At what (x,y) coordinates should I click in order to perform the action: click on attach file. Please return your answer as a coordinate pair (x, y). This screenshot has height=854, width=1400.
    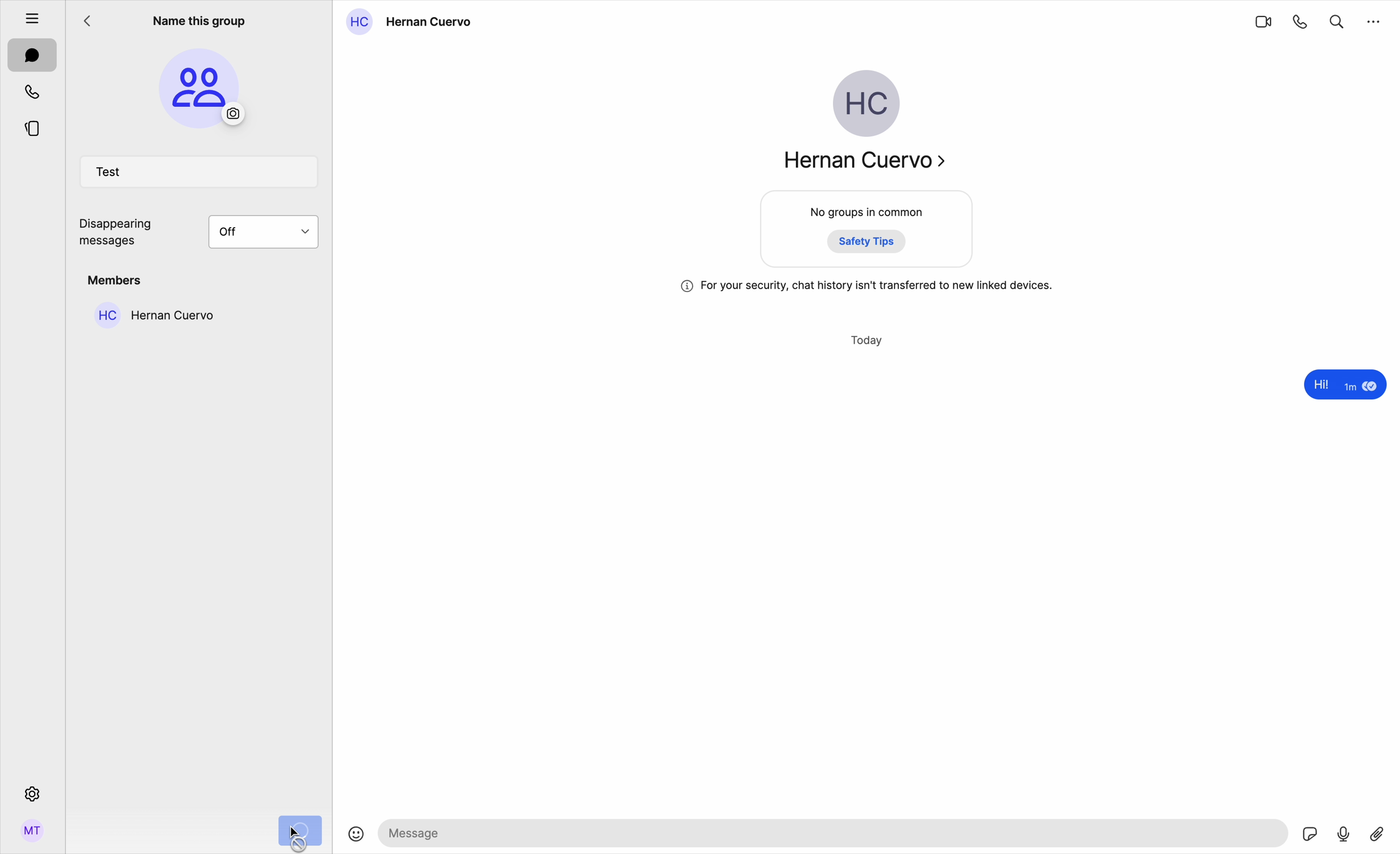
    Looking at the image, I should click on (1379, 832).